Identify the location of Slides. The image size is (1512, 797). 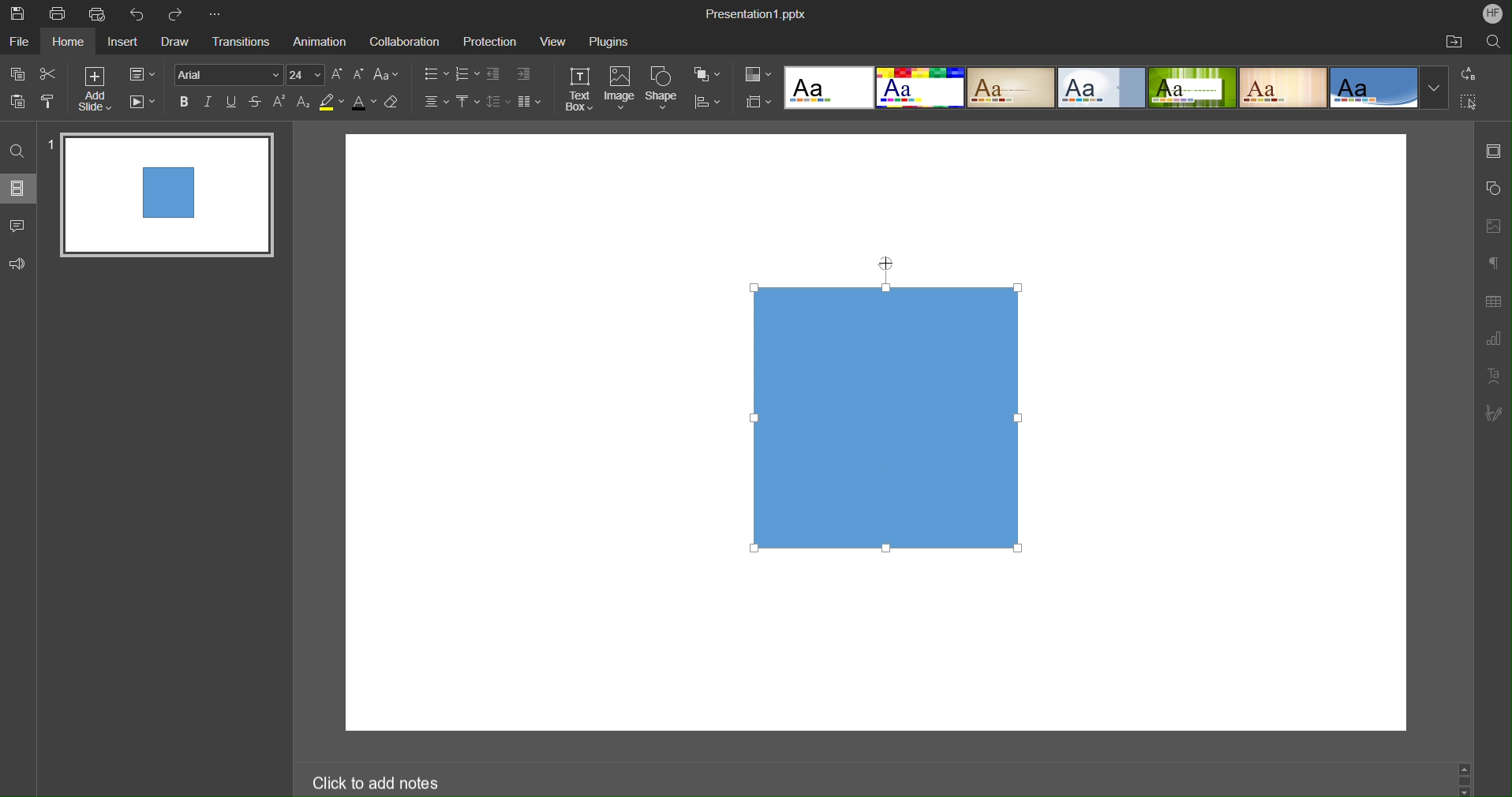
(18, 188).